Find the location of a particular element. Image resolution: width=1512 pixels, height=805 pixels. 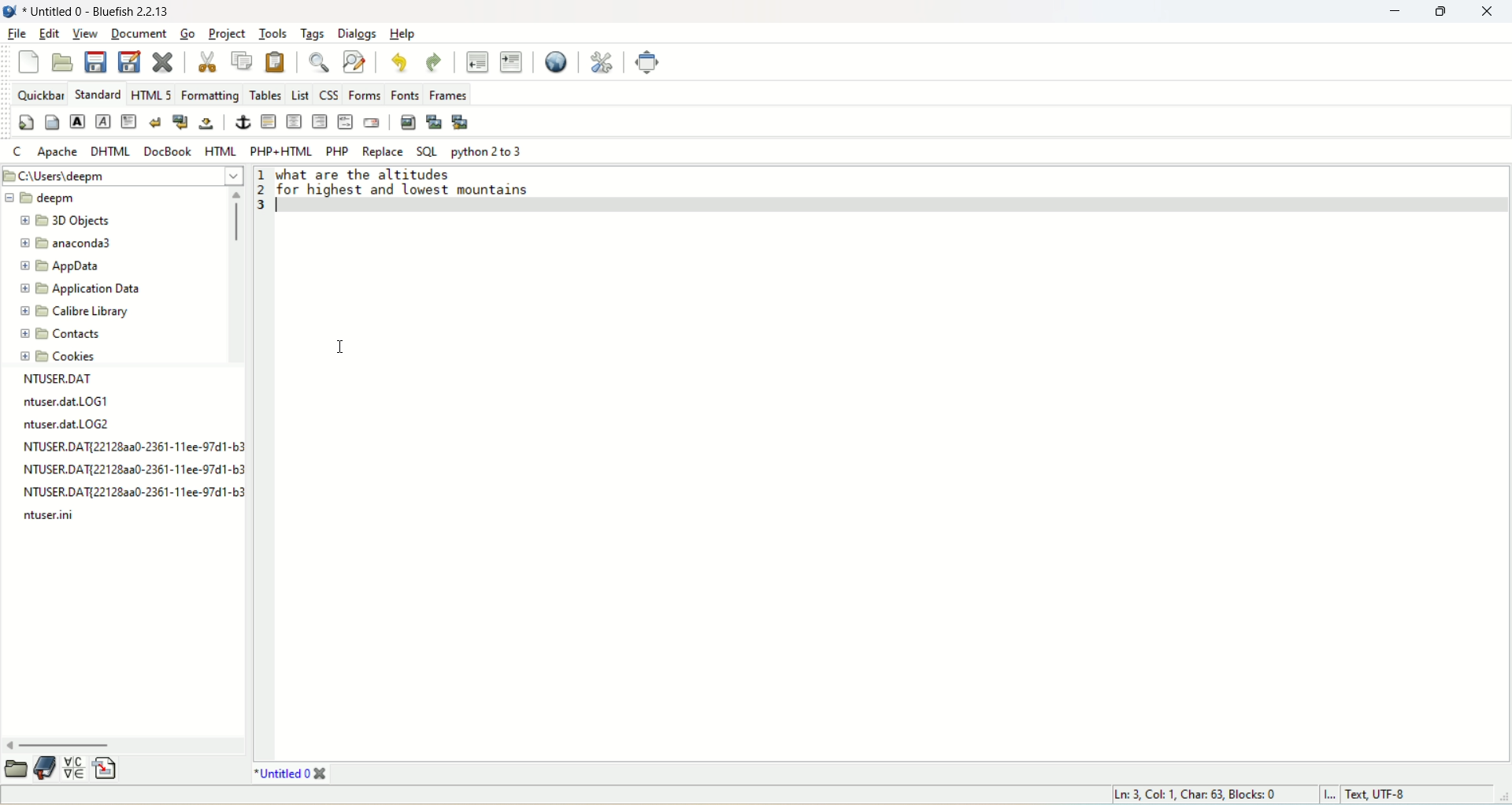

C is located at coordinates (17, 150).